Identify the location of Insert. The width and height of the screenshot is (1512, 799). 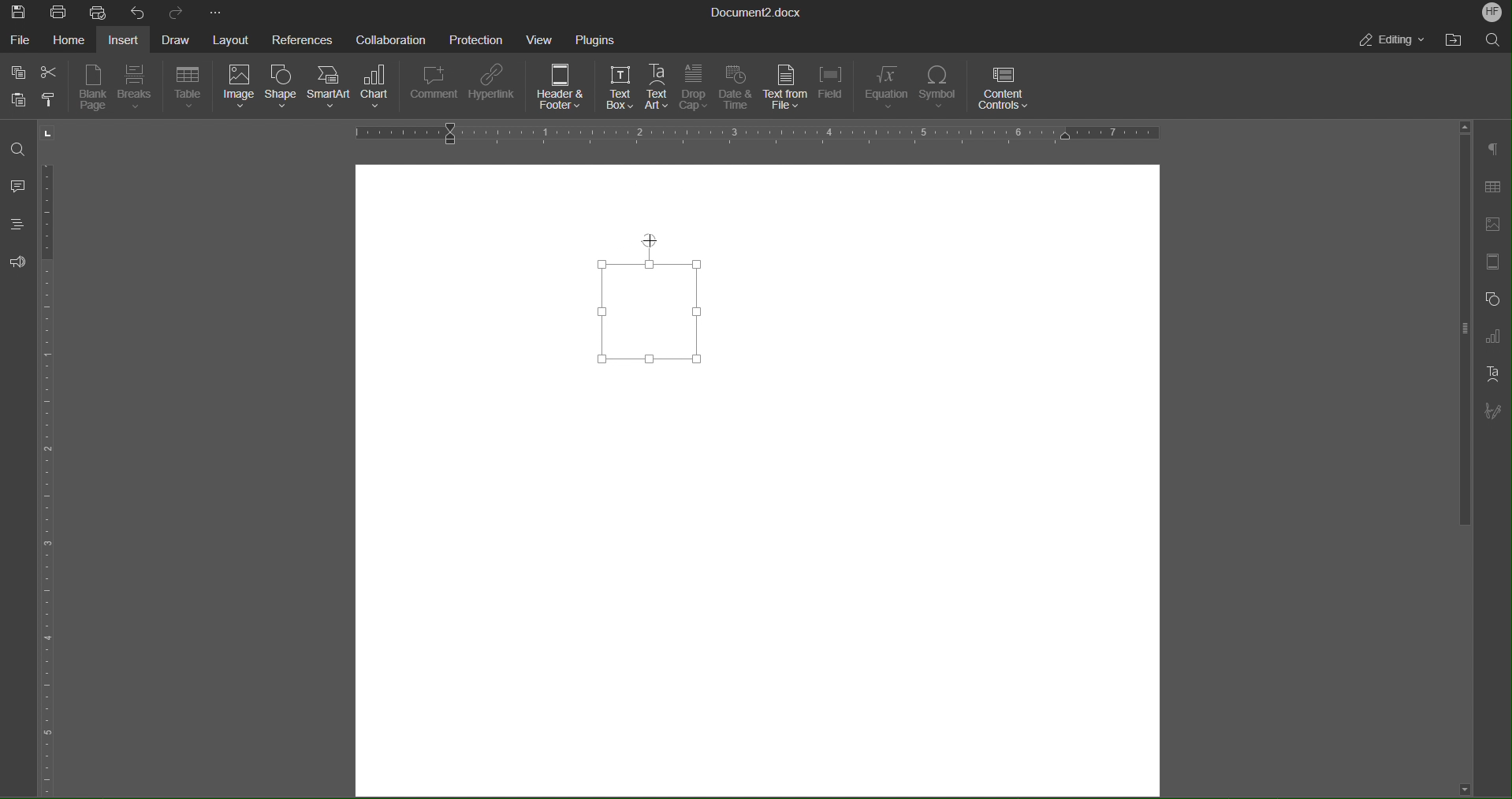
(125, 39).